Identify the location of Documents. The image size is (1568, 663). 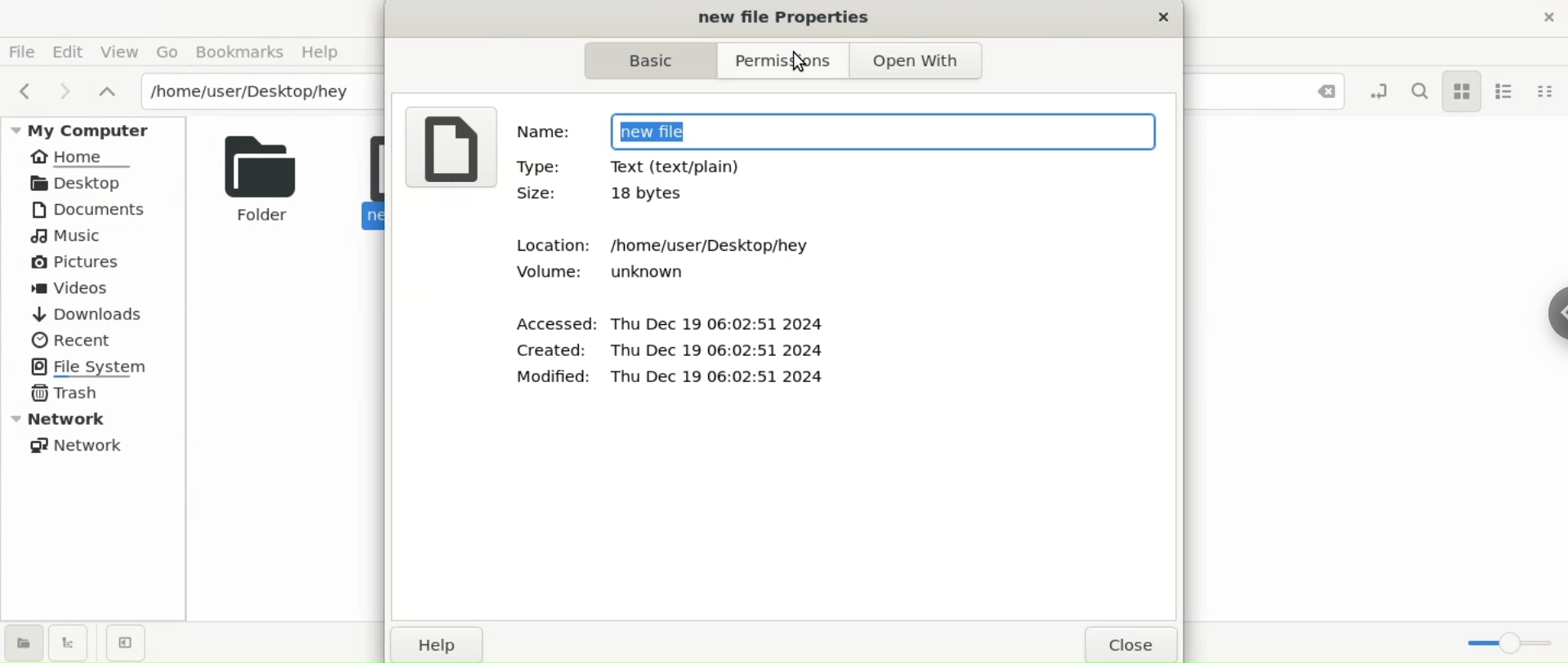
(96, 209).